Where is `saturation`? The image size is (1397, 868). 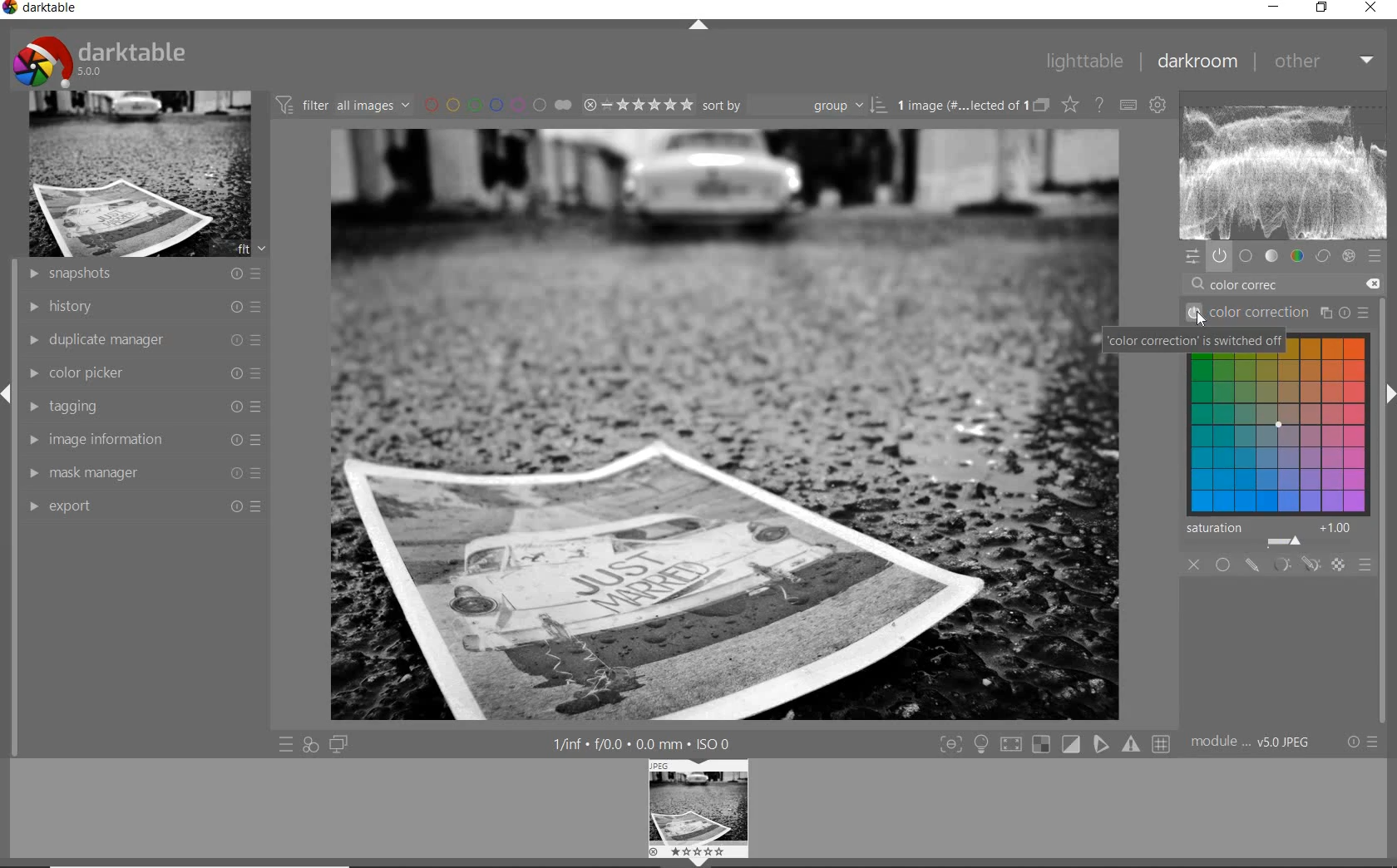 saturation is located at coordinates (1274, 535).